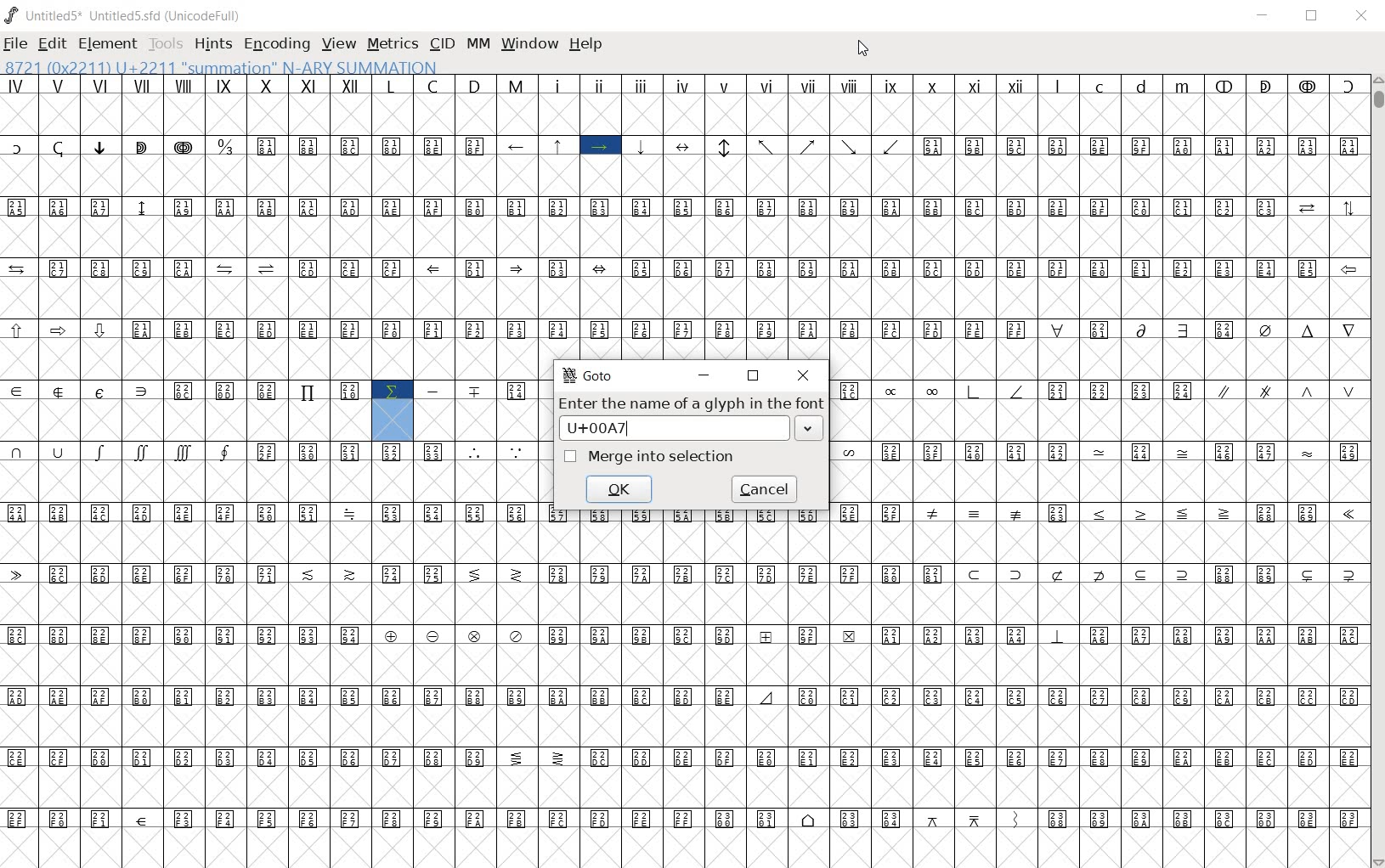 The width and height of the screenshot is (1385, 868). What do you see at coordinates (279, 515) in the screenshot?
I see `special symbols` at bounding box center [279, 515].